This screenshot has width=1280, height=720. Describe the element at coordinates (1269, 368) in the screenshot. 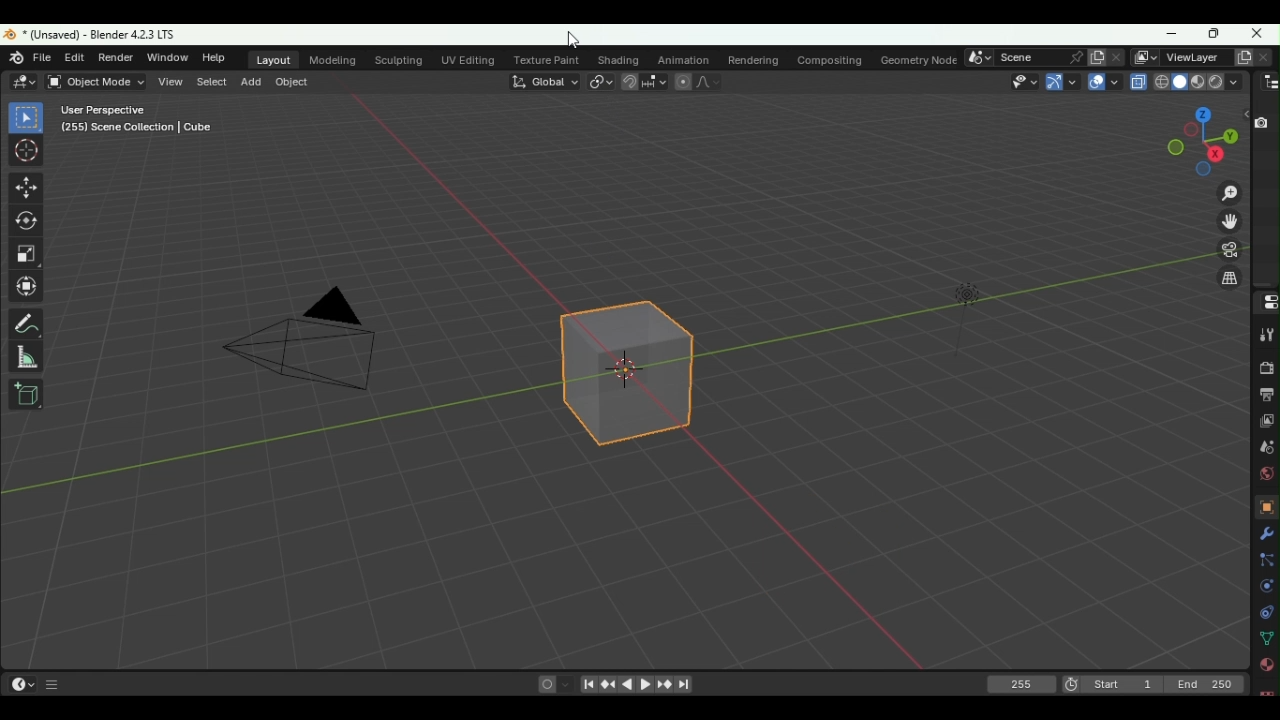

I see `Render` at that location.